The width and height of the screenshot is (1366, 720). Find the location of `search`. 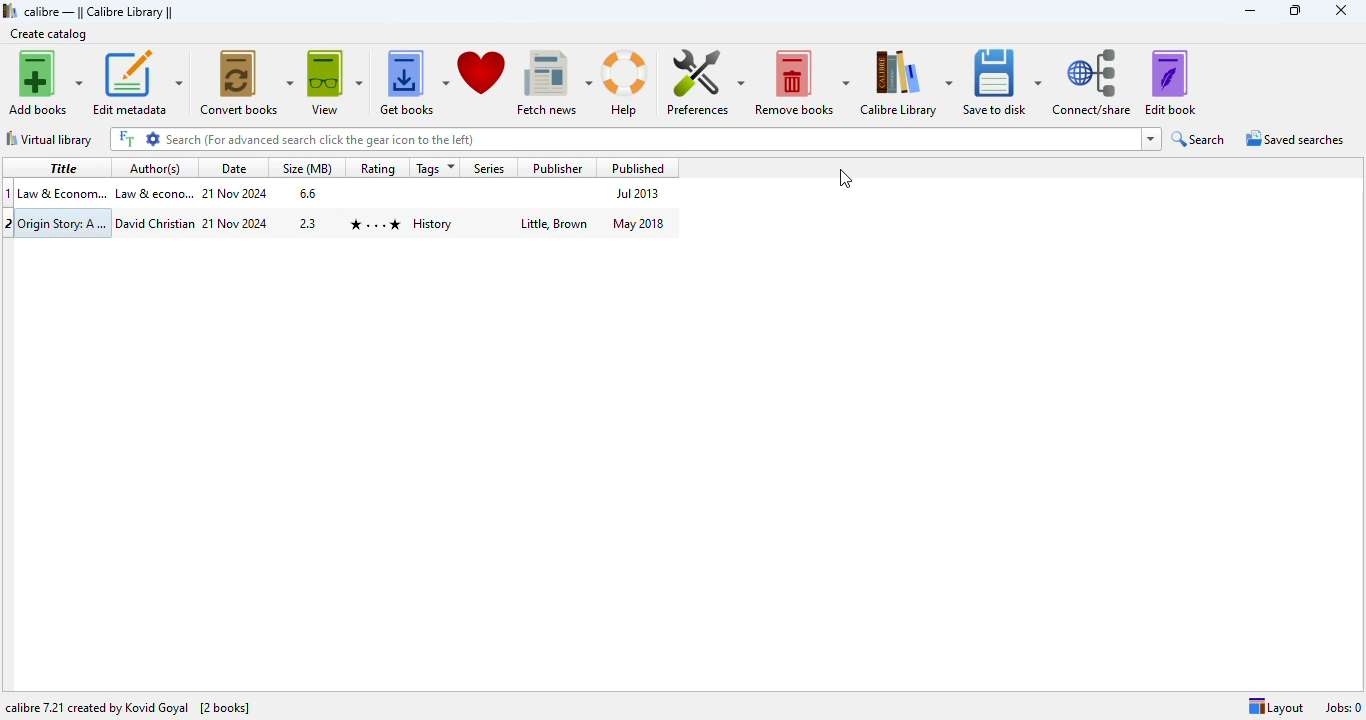

search is located at coordinates (651, 138).